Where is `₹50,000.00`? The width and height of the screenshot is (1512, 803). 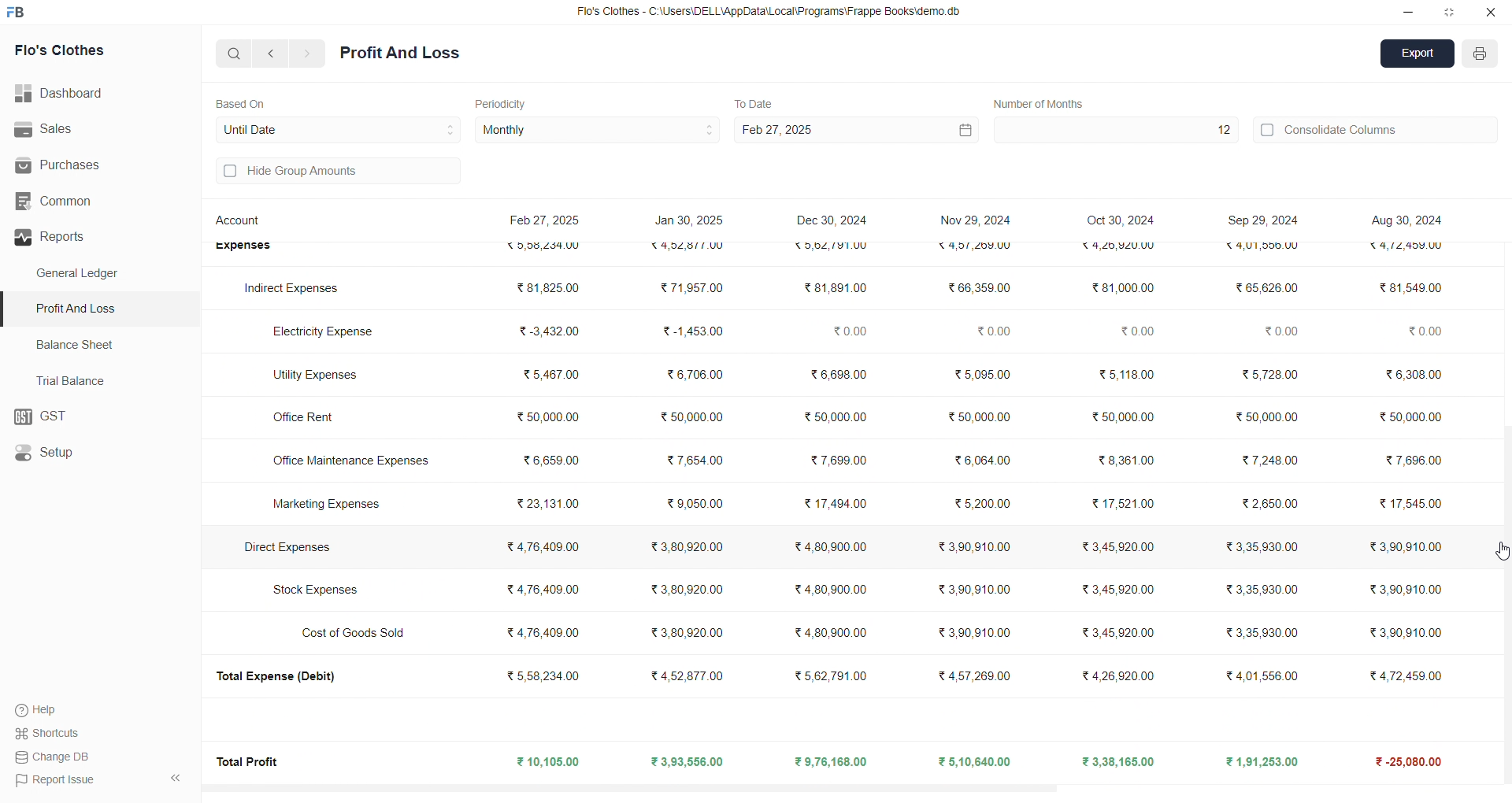 ₹50,000.00 is located at coordinates (543, 419).